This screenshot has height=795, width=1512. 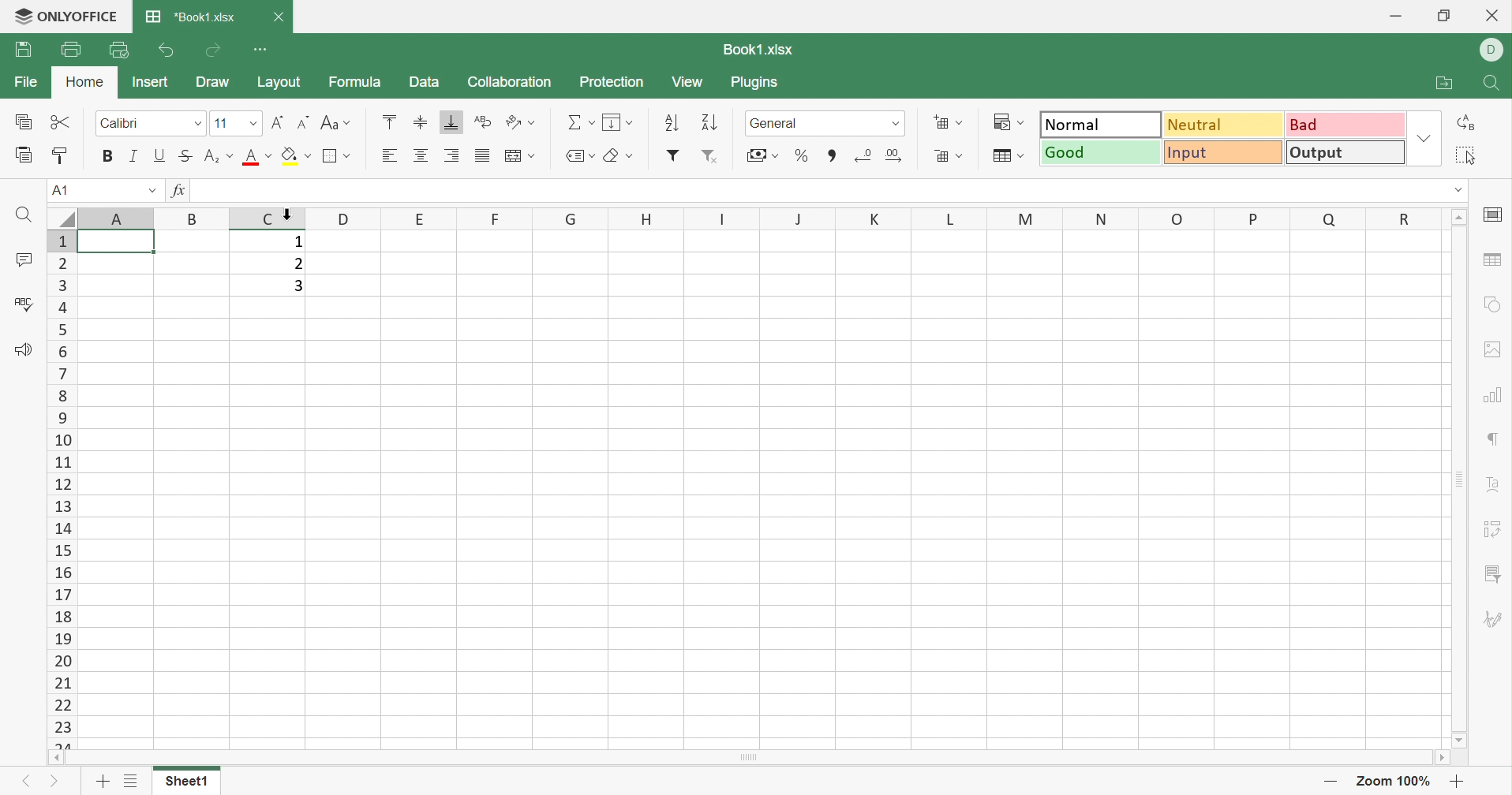 I want to click on Drop Down, so click(x=775, y=155).